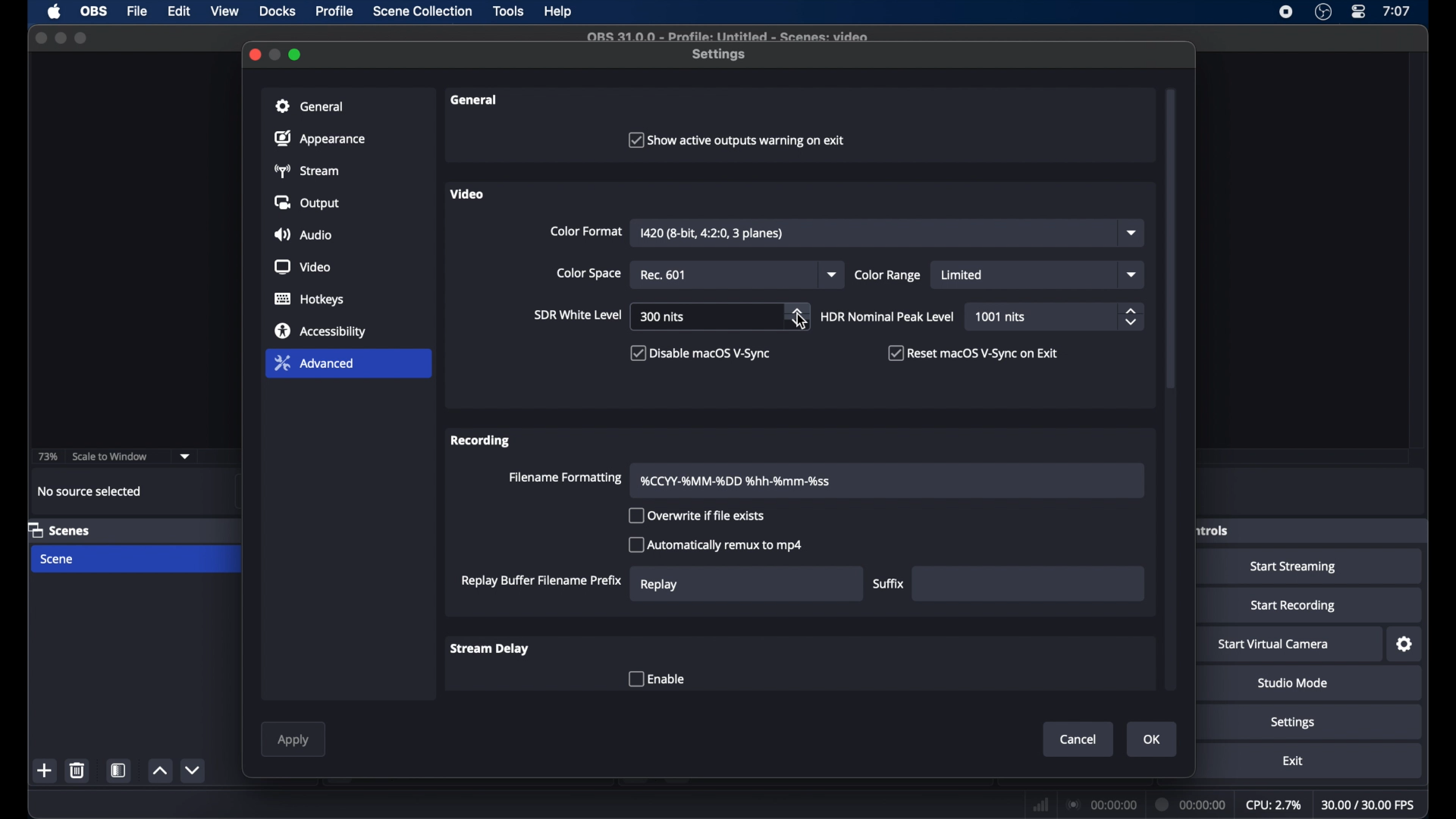  What do you see at coordinates (296, 55) in the screenshot?
I see `maximize` at bounding box center [296, 55].